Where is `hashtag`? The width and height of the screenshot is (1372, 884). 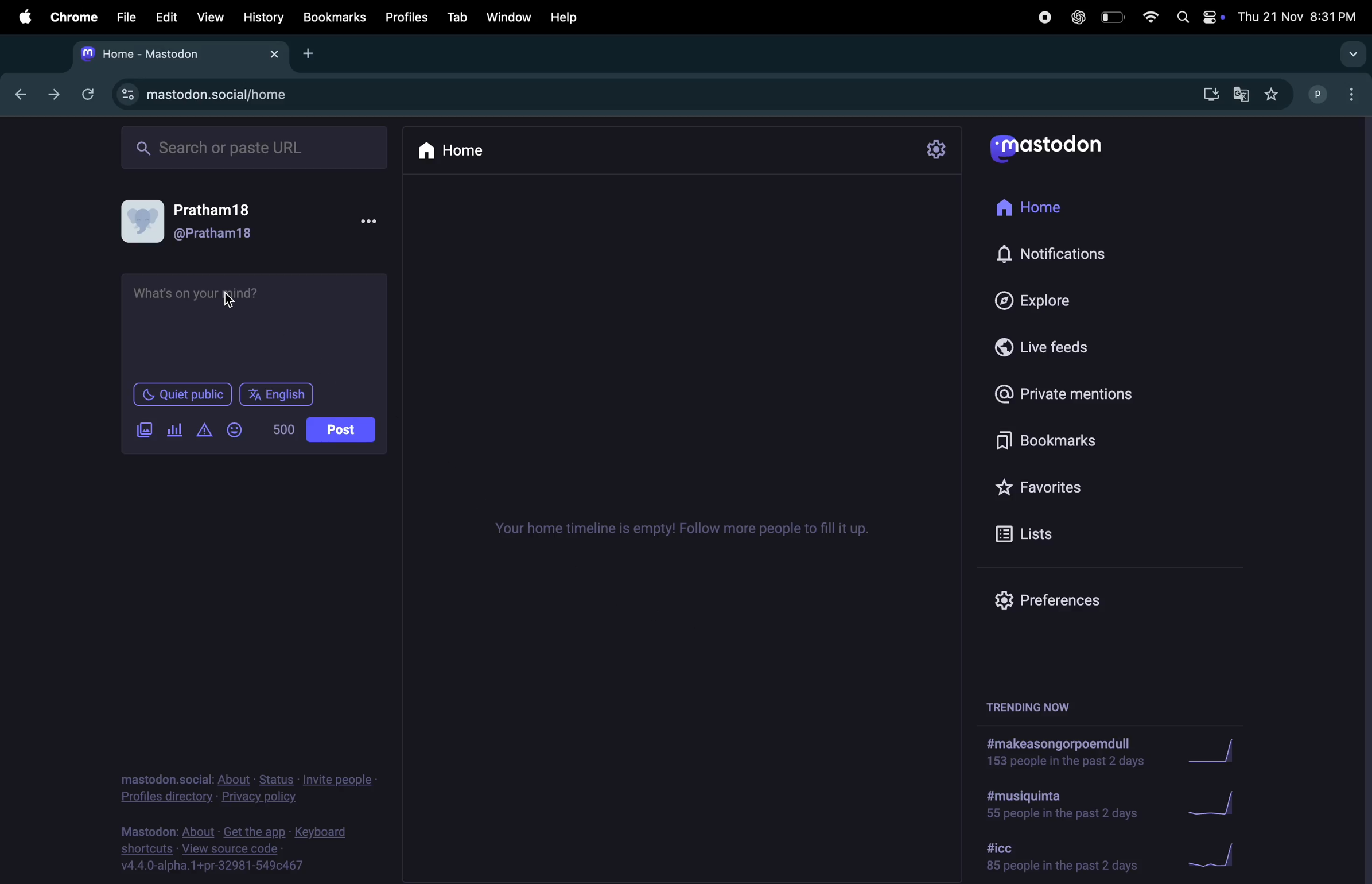 hashtag is located at coordinates (1058, 807).